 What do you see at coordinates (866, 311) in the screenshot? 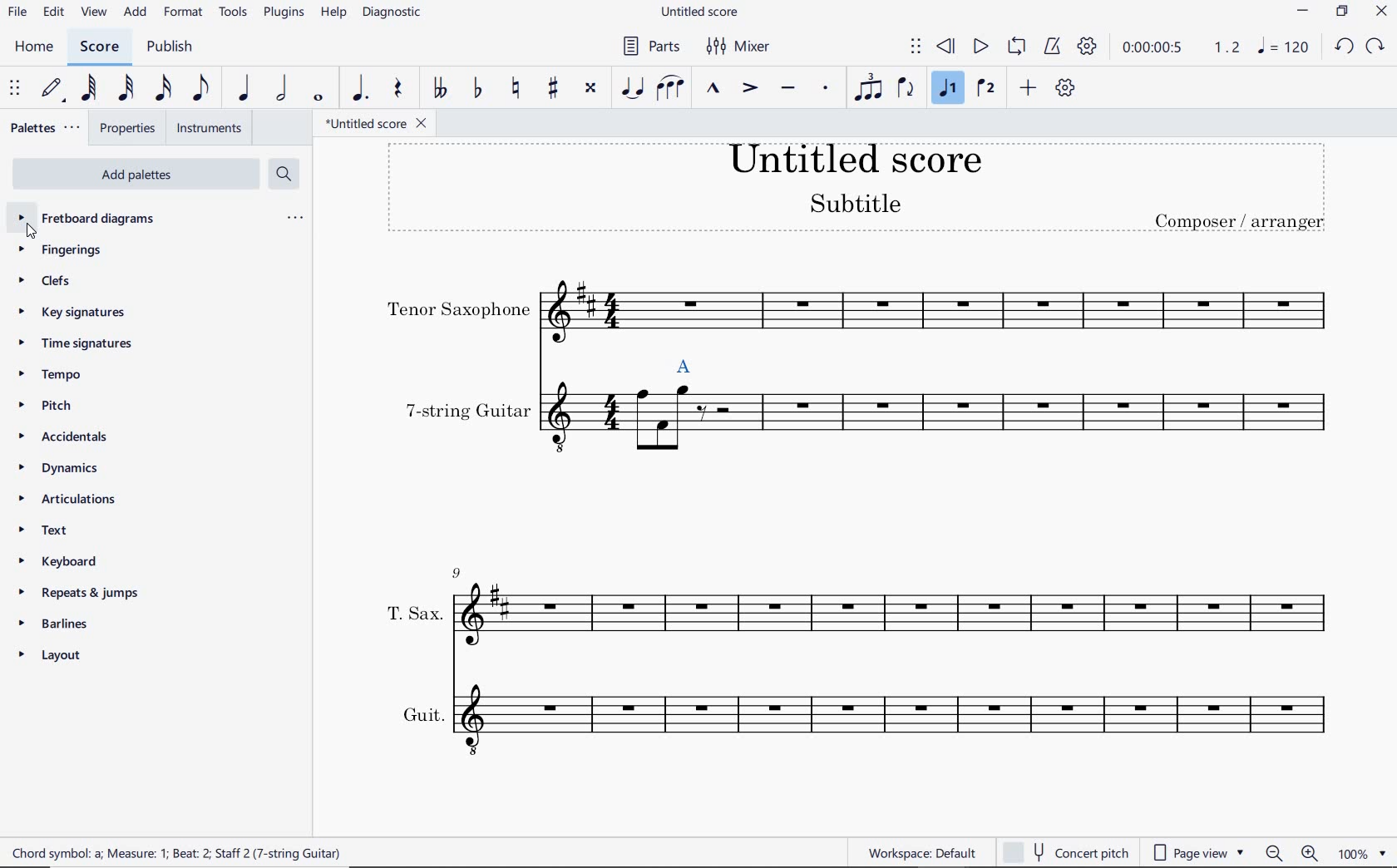
I see `INSTRUMENT: TENOR SAXOPHONE` at bounding box center [866, 311].